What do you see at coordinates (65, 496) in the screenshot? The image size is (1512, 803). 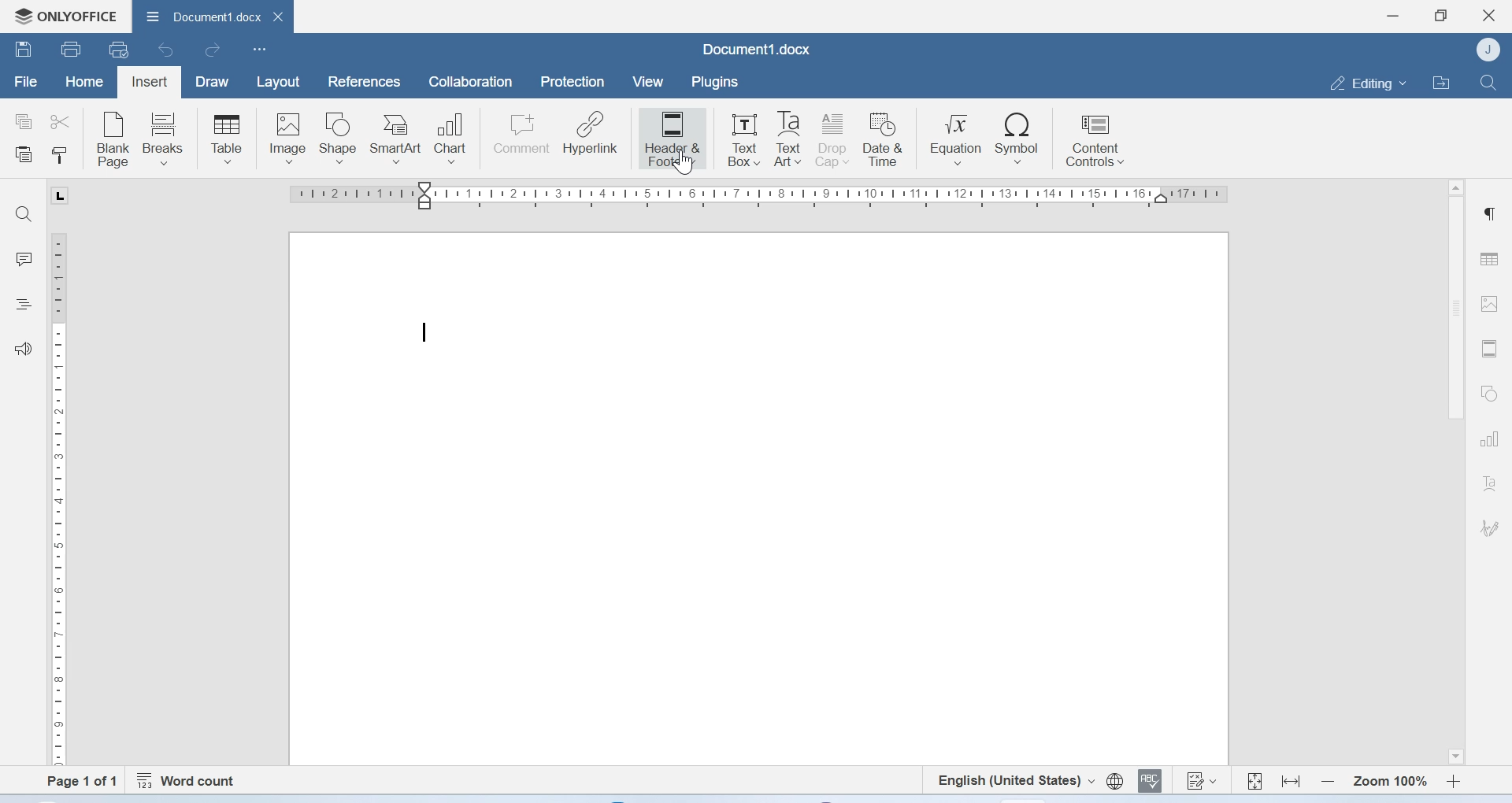 I see `Scale` at bounding box center [65, 496].